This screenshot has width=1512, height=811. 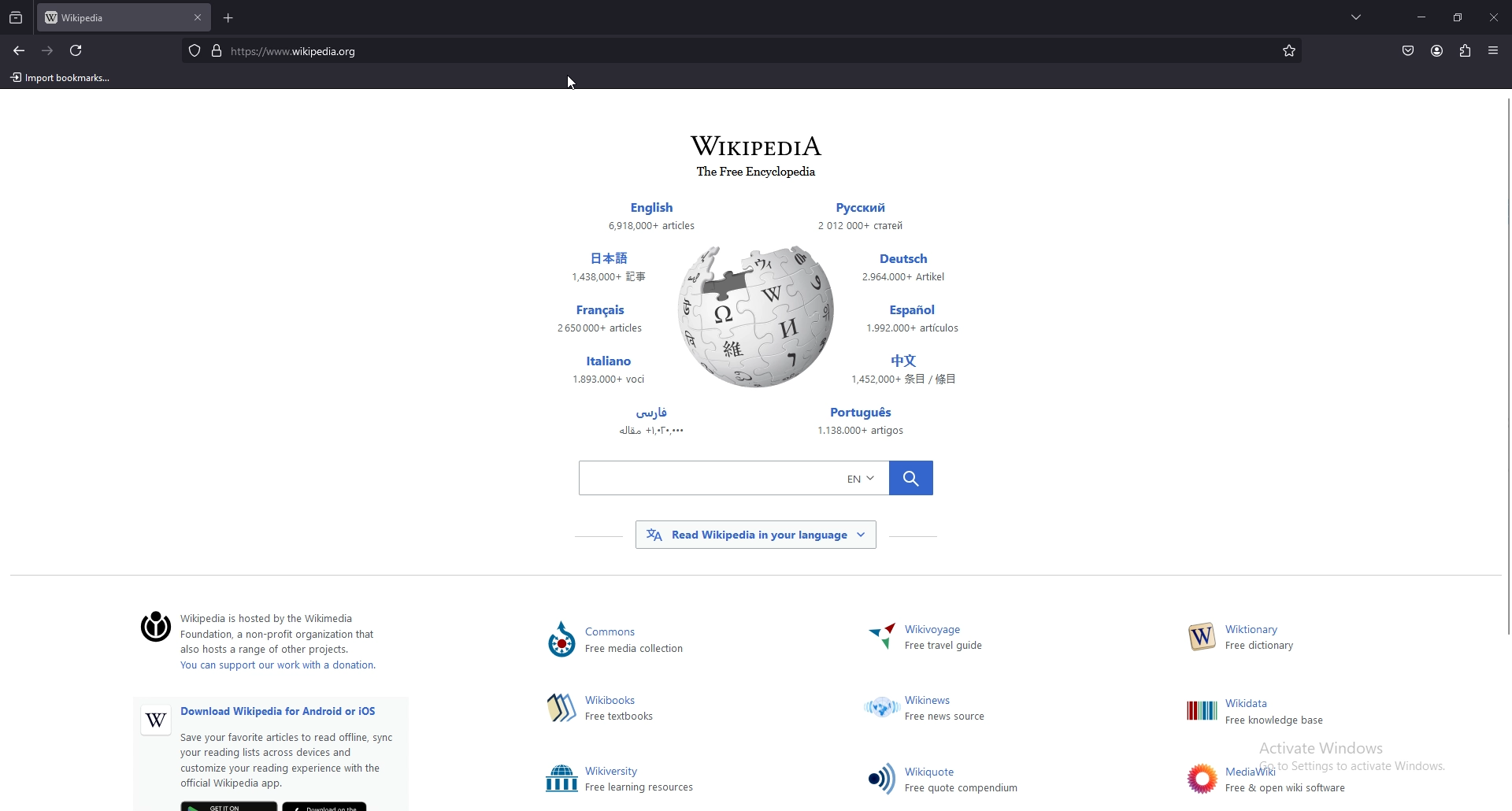 I want to click on , so click(x=862, y=420).